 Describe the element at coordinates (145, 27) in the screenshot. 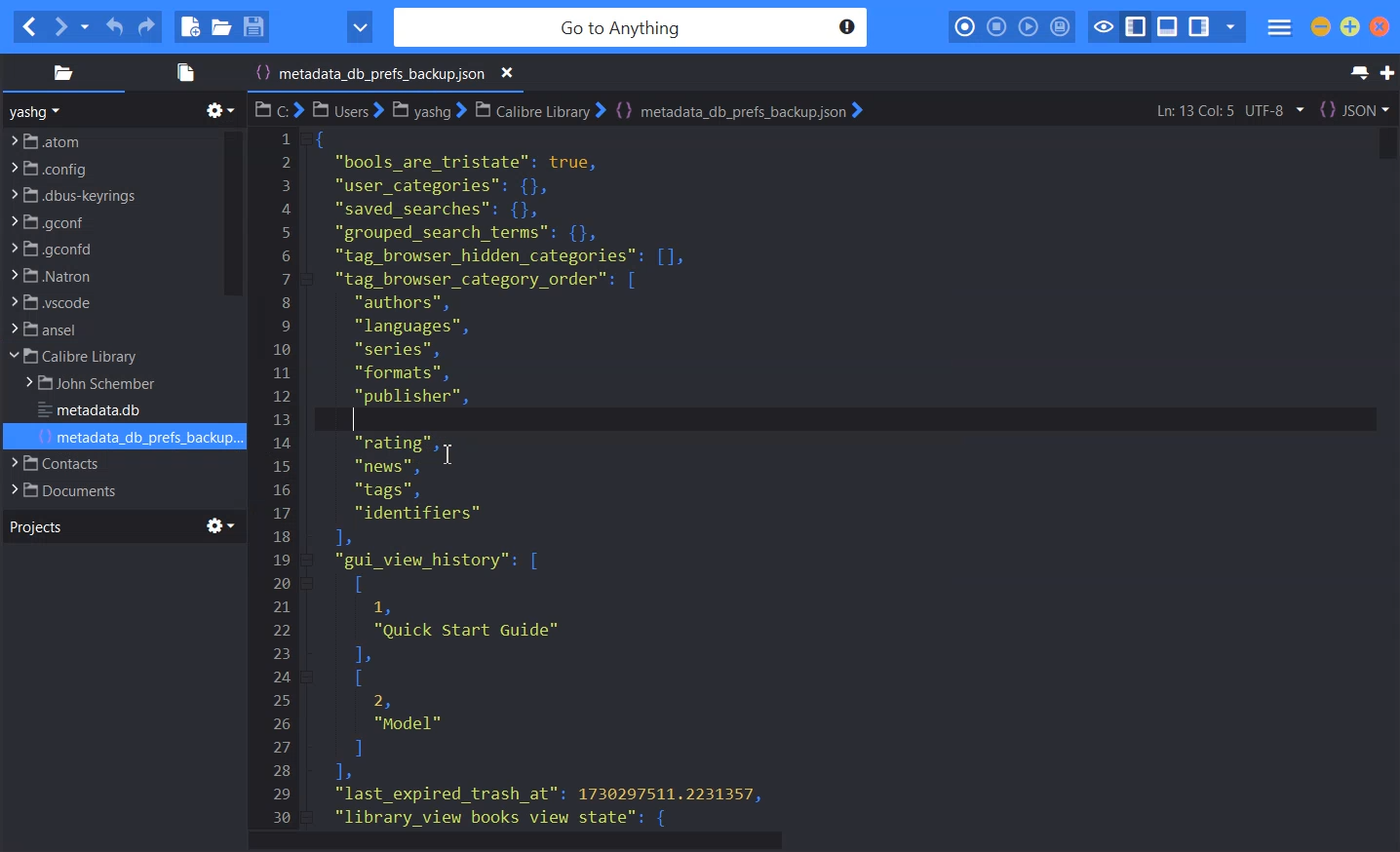

I see `Redo last action` at that location.